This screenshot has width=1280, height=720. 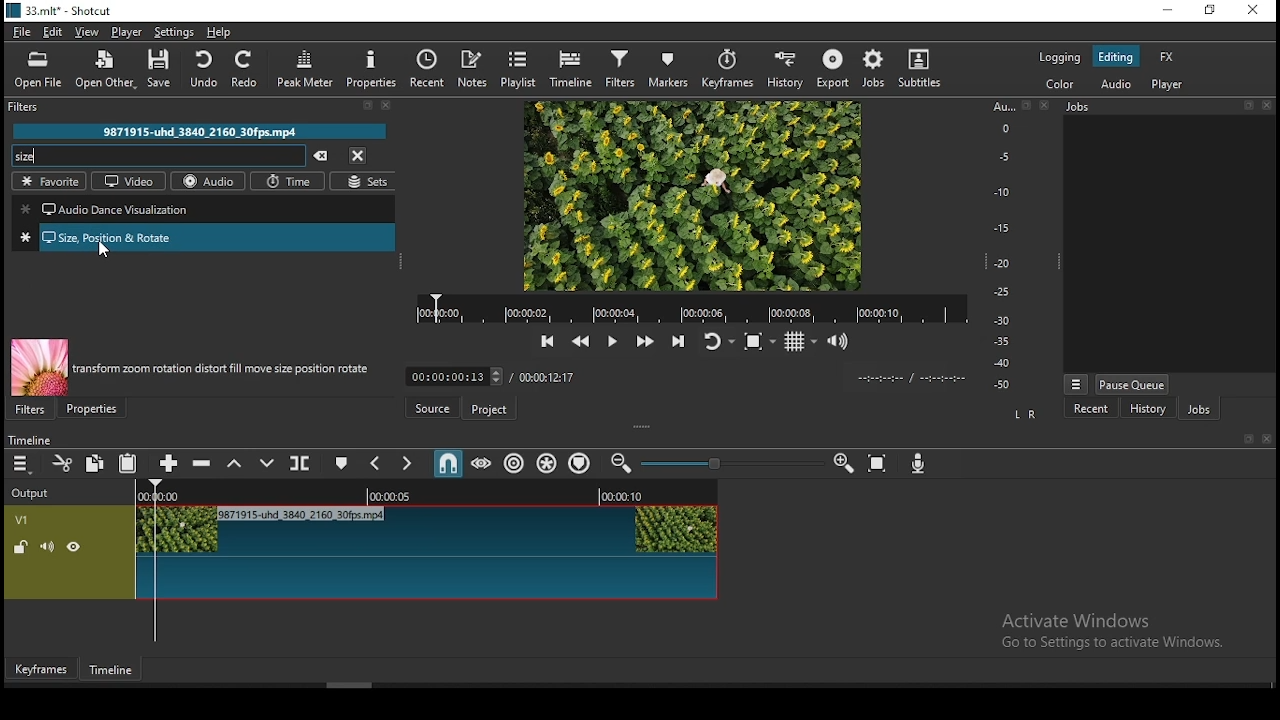 What do you see at coordinates (1021, 413) in the screenshot?
I see `L R` at bounding box center [1021, 413].